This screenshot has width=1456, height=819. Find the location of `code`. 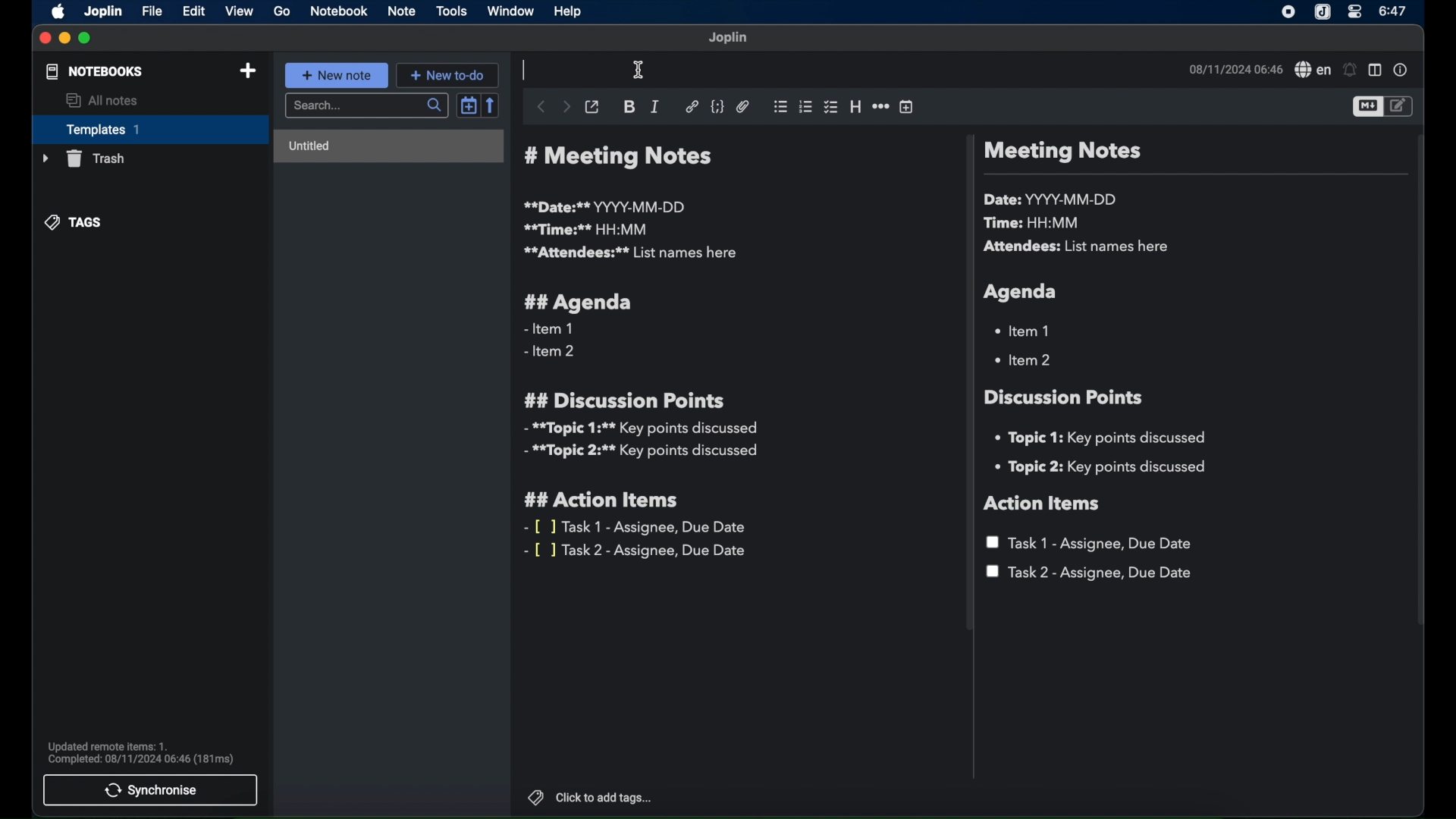

code is located at coordinates (718, 105).